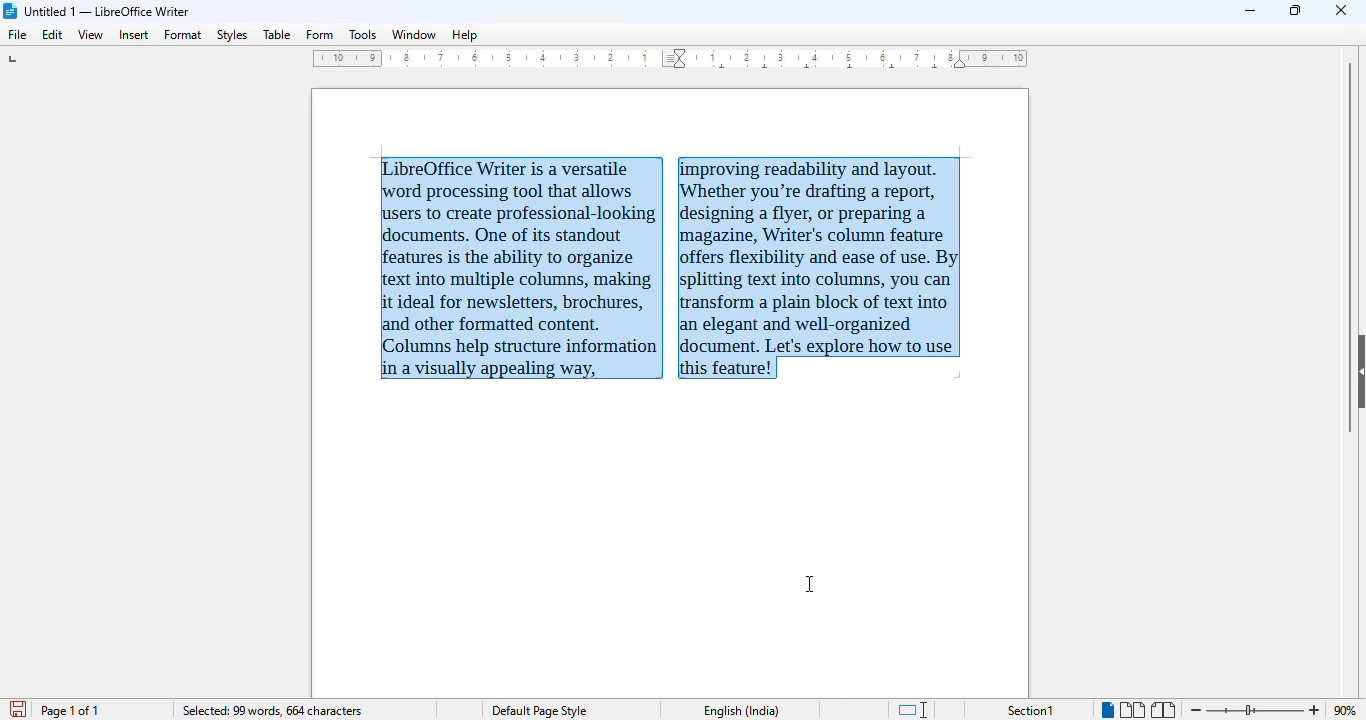 The image size is (1366, 720). I want to click on LibreOffice logo, so click(11, 11).